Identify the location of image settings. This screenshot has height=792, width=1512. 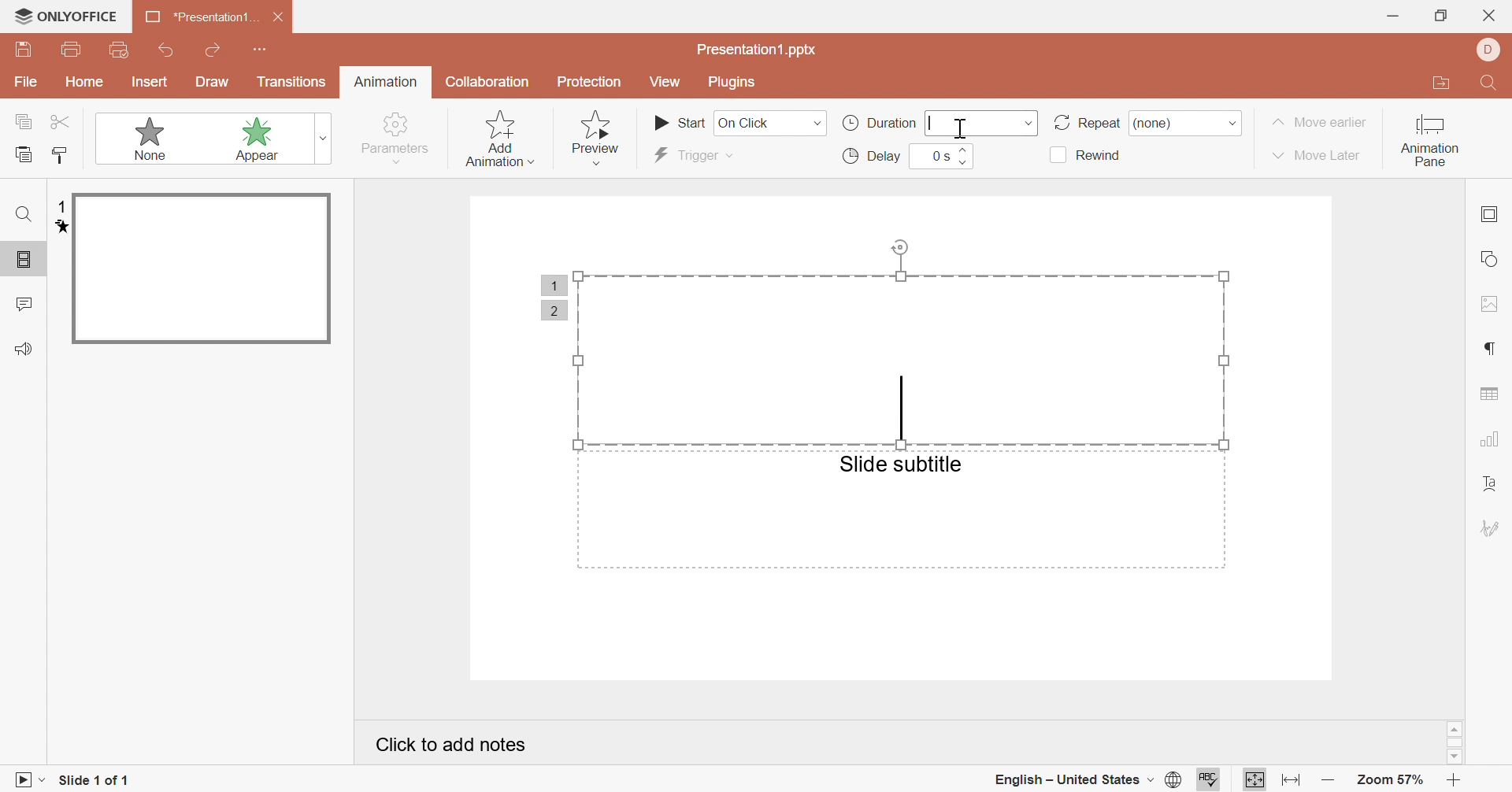
(1492, 305).